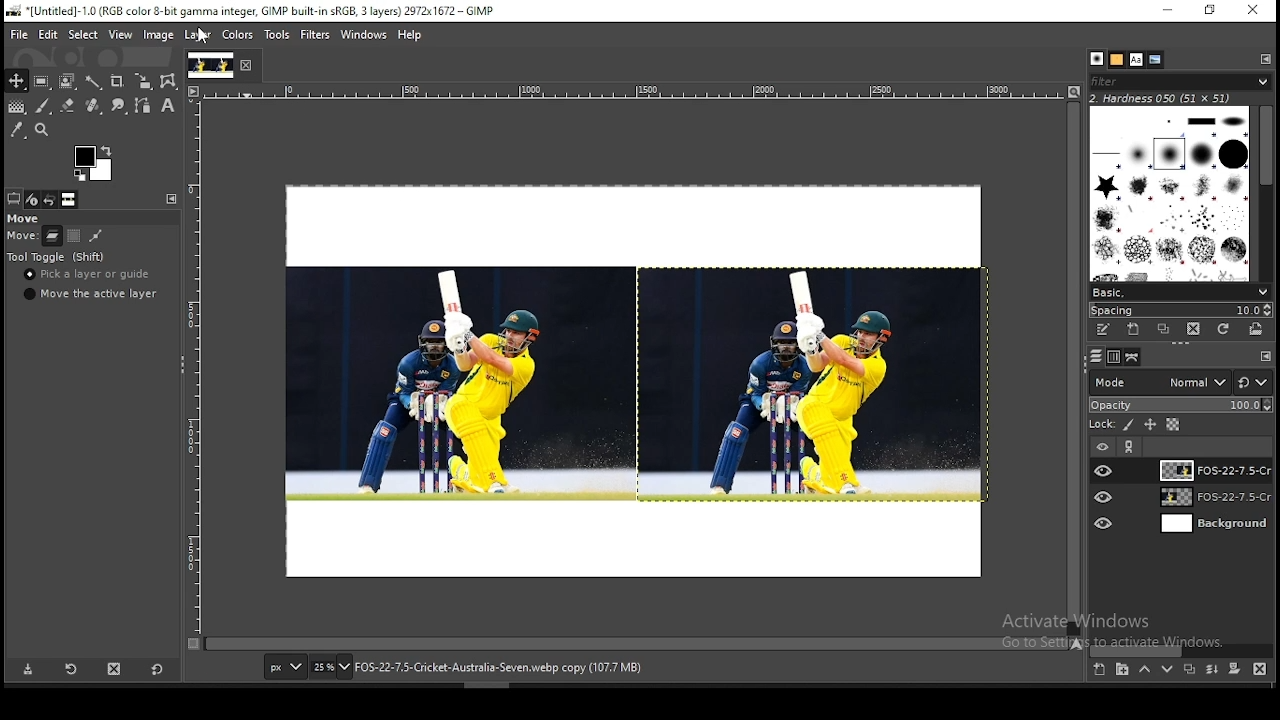 This screenshot has width=1280, height=720. Describe the element at coordinates (1211, 470) in the screenshot. I see `layer ` at that location.